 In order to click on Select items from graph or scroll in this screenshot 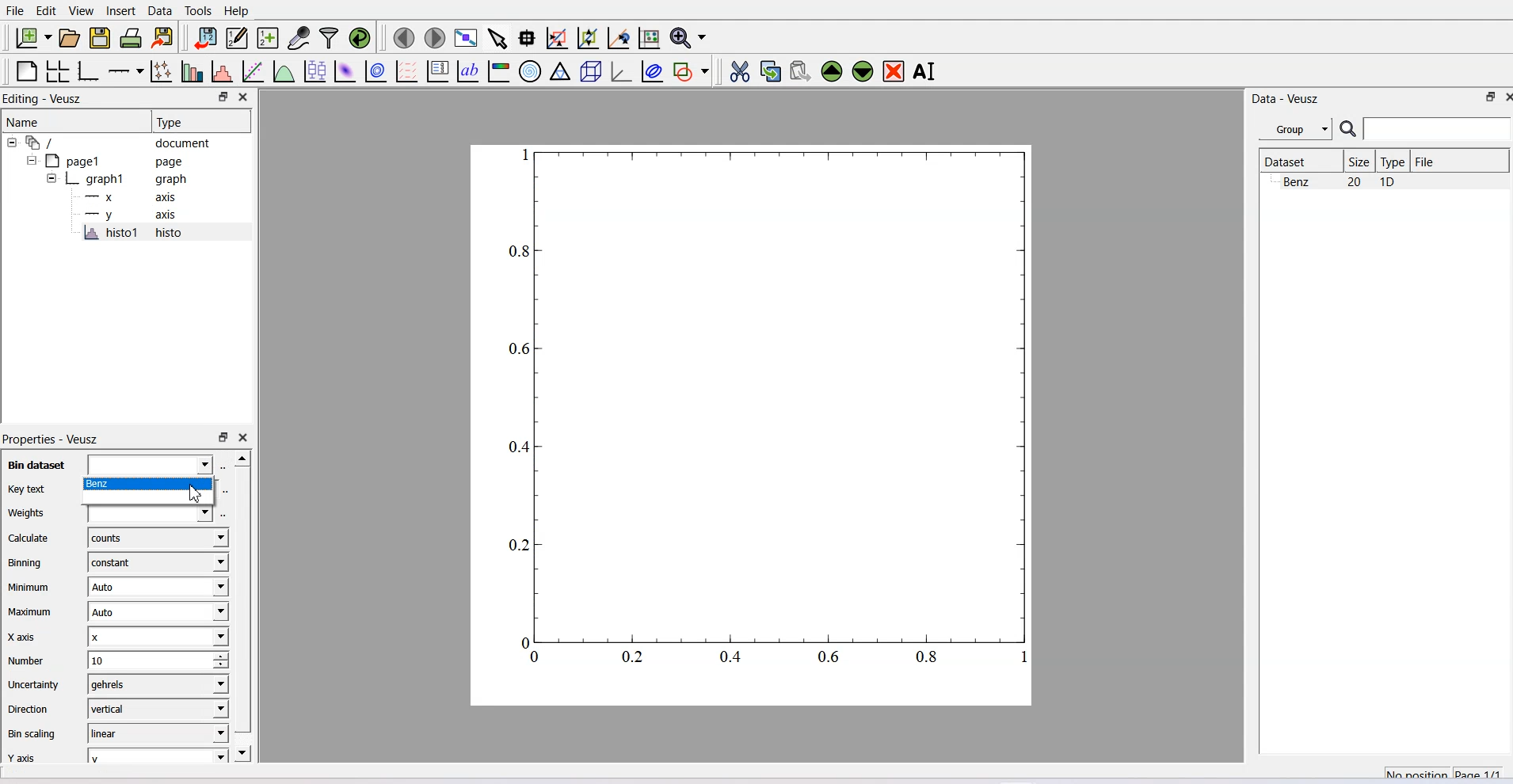, I will do `click(498, 39)`.